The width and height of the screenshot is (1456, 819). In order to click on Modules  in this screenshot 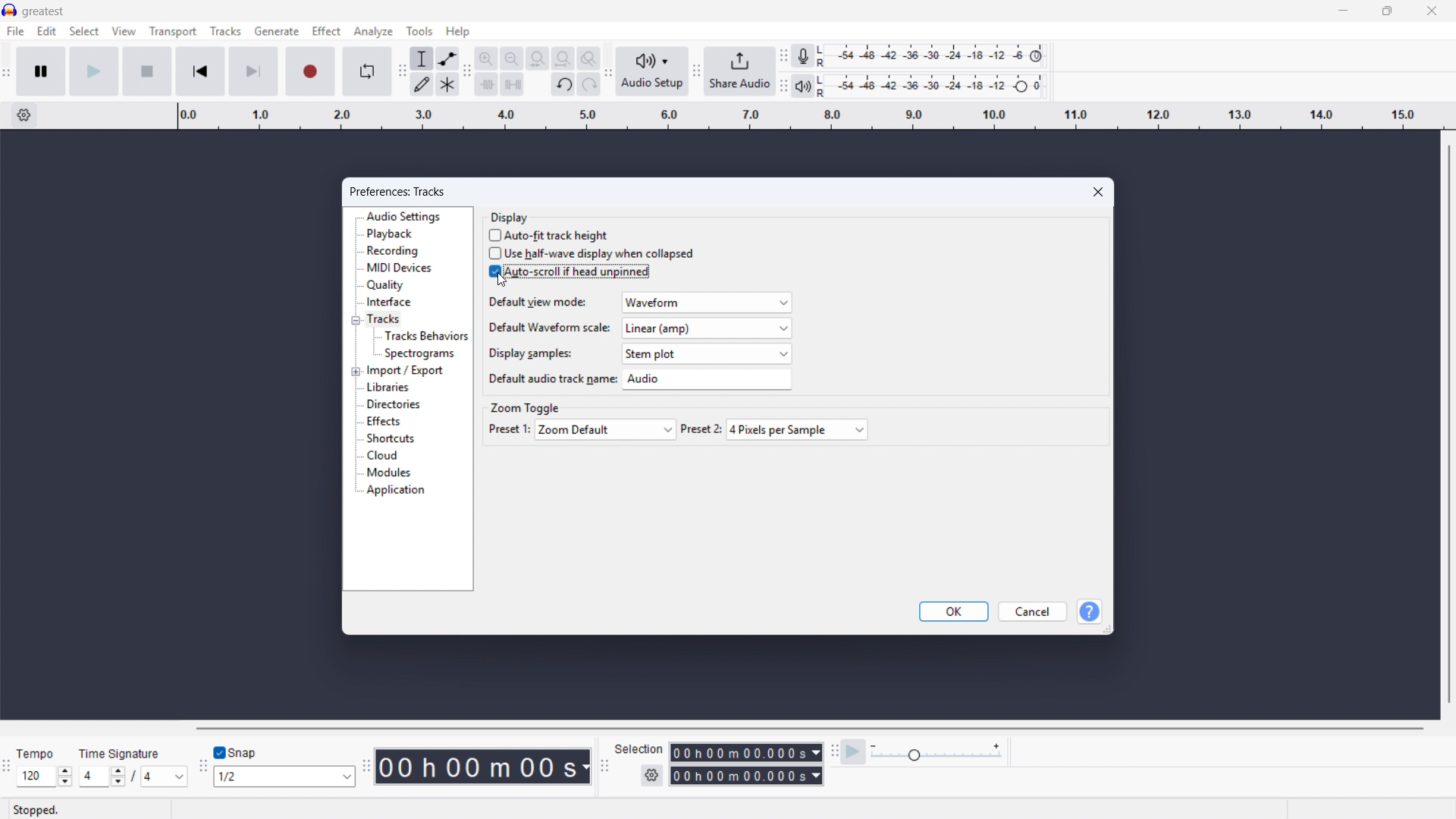, I will do `click(388, 473)`.